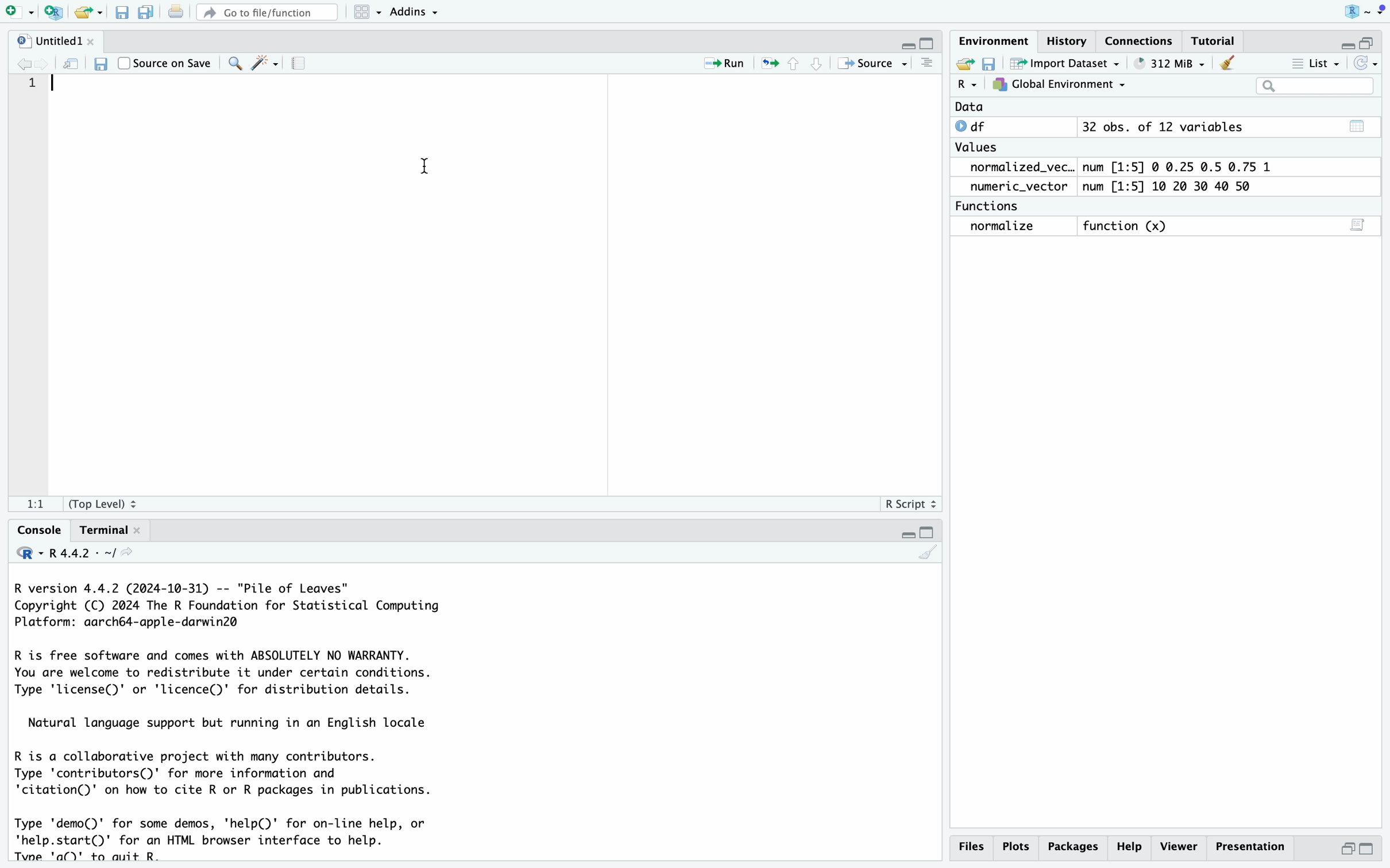  Describe the element at coordinates (1255, 845) in the screenshot. I see `Presentation` at that location.